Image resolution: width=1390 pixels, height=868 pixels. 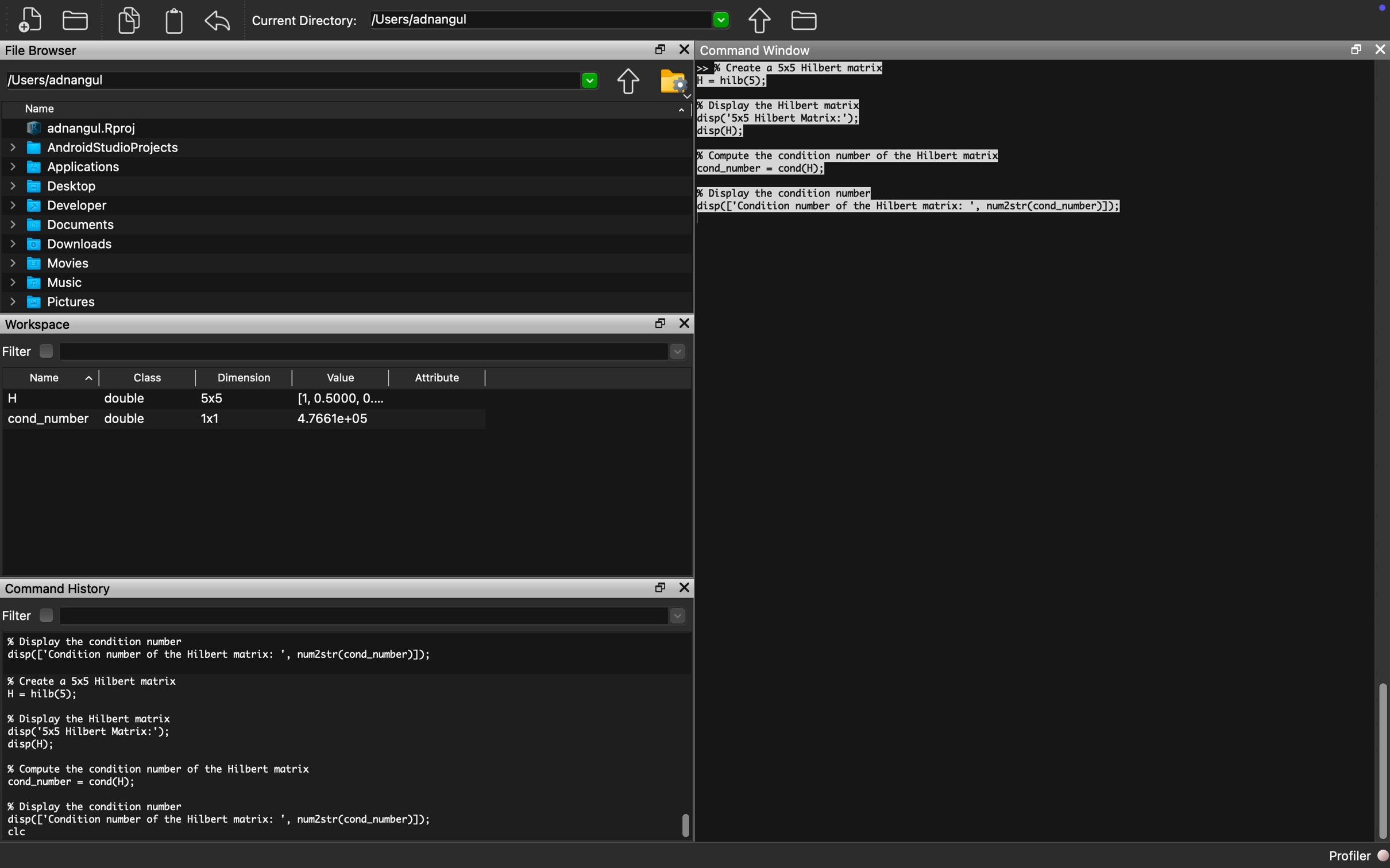 What do you see at coordinates (1356, 48) in the screenshot?
I see `Restore Down` at bounding box center [1356, 48].